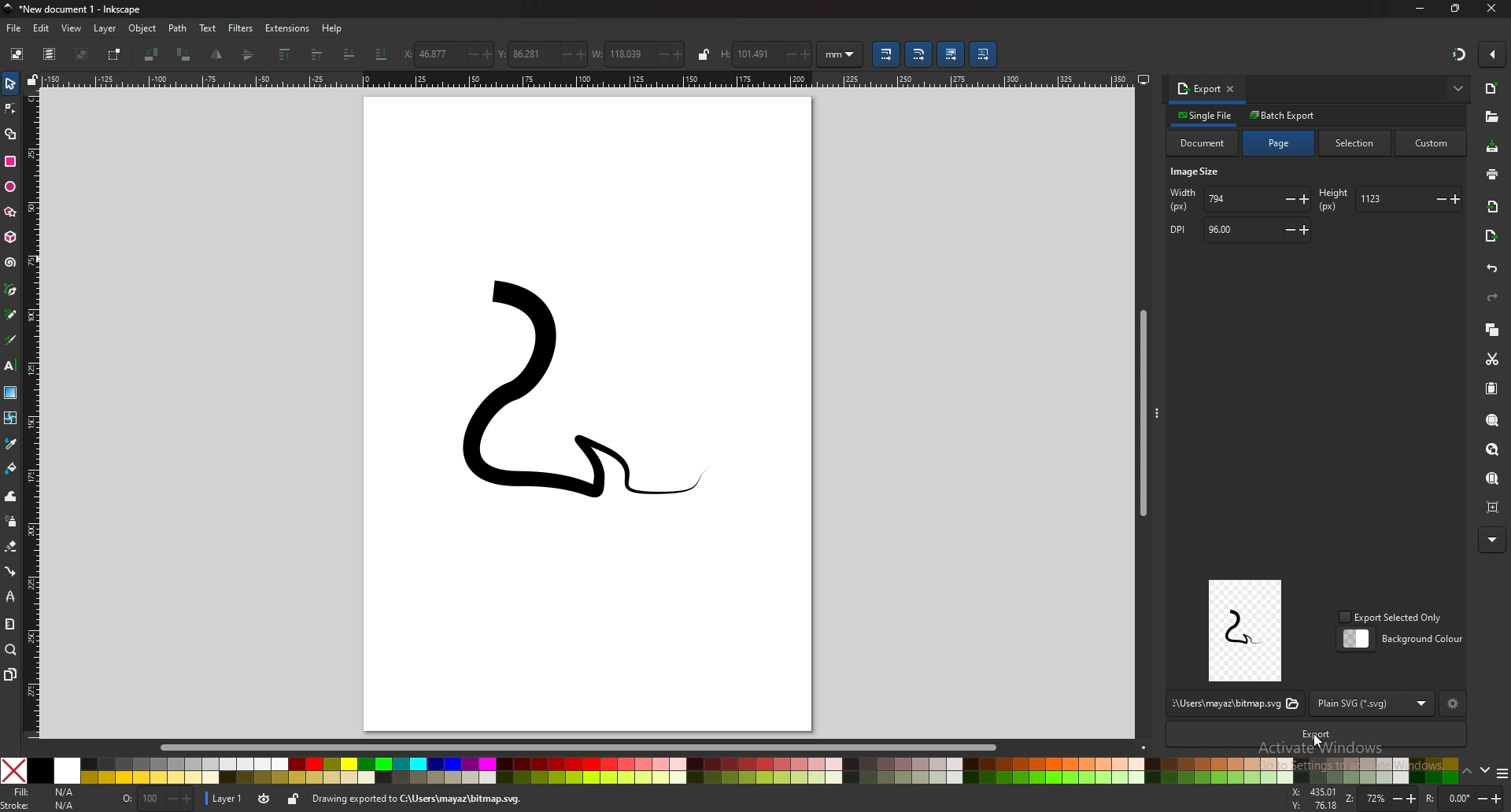 Image resolution: width=1511 pixels, height=812 pixels. Describe the element at coordinates (15, 29) in the screenshot. I see `file` at that location.